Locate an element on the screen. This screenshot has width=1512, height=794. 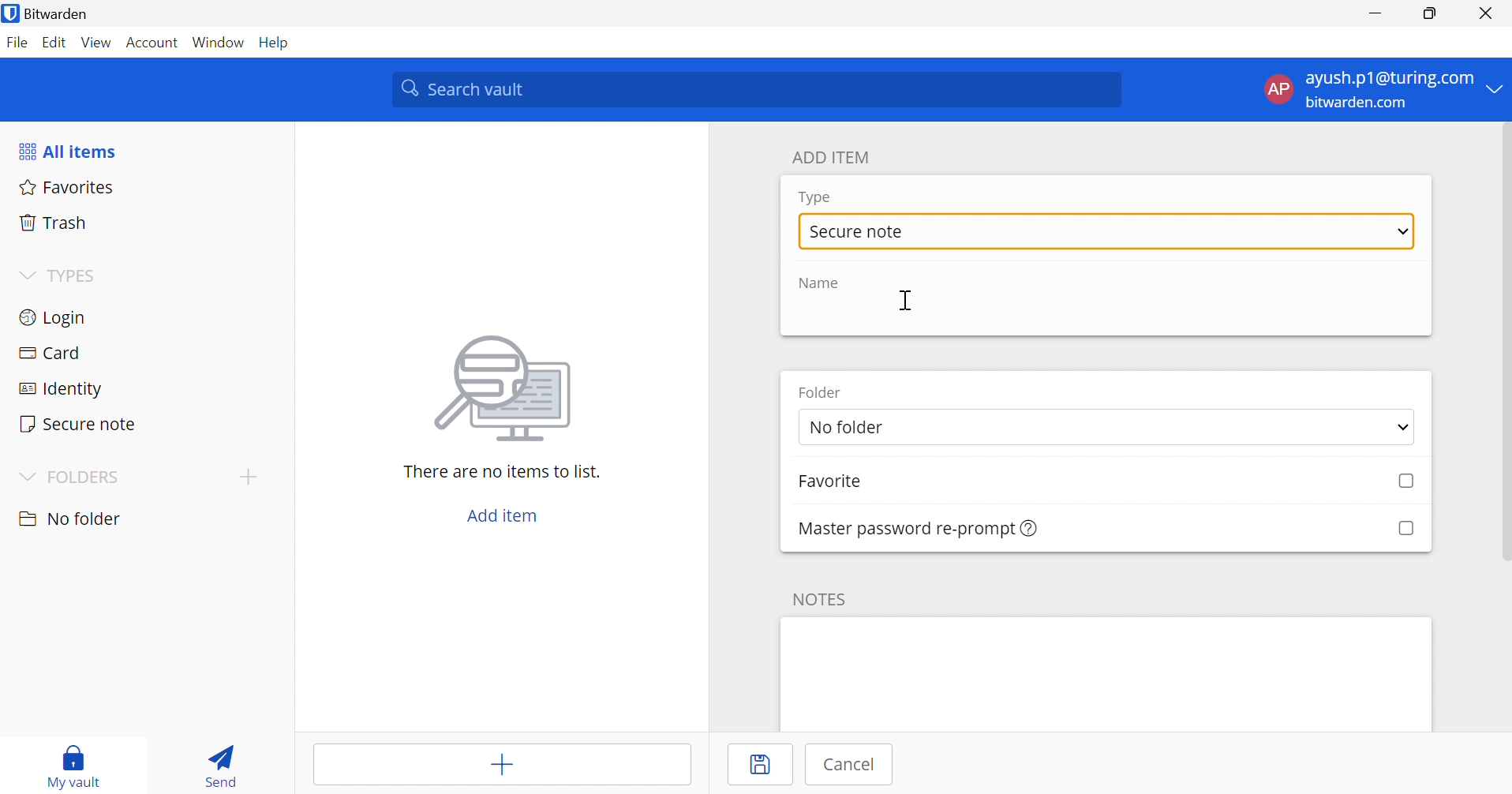
Add item is located at coordinates (500, 767).